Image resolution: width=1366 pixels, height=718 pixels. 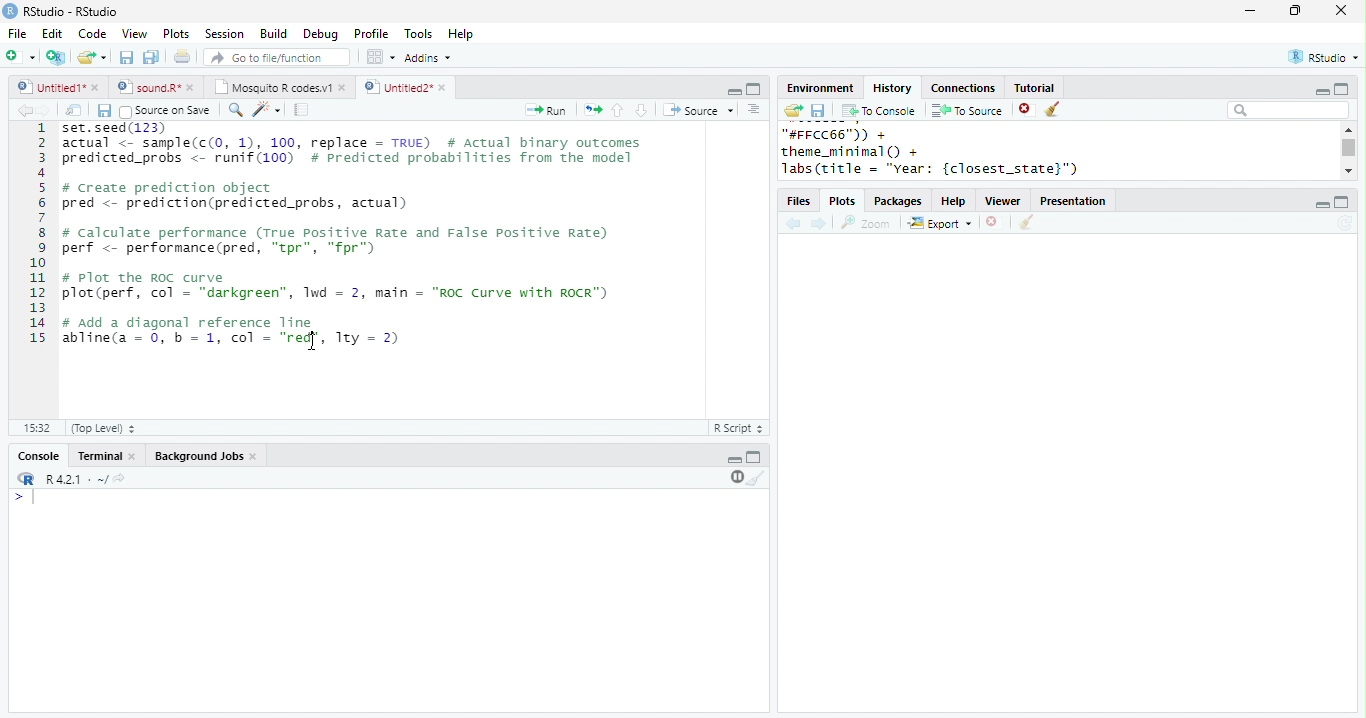 I want to click on Environment, so click(x=819, y=88).